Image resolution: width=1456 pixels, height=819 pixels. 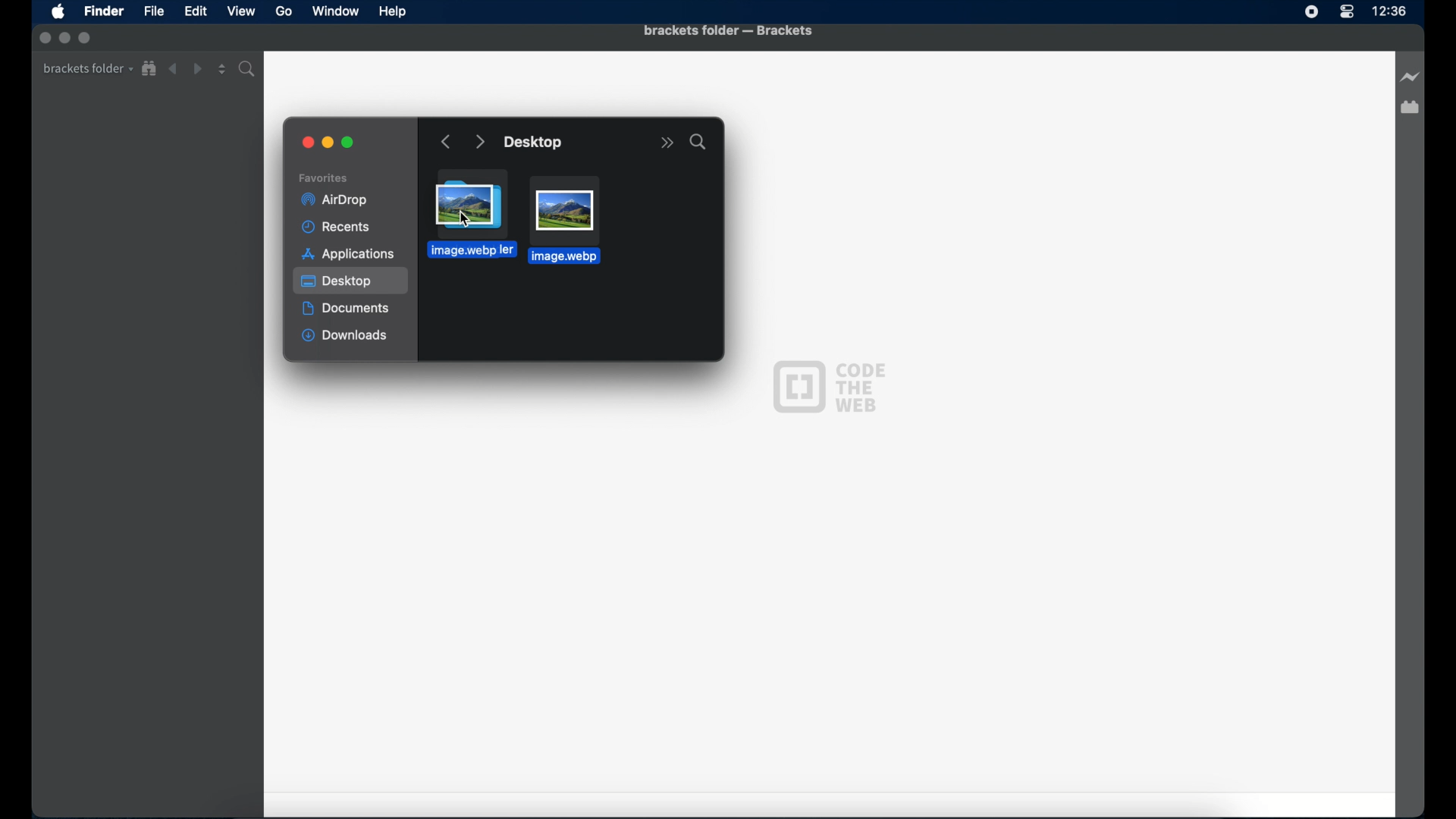 I want to click on brackets folder - brackets, so click(x=728, y=32).